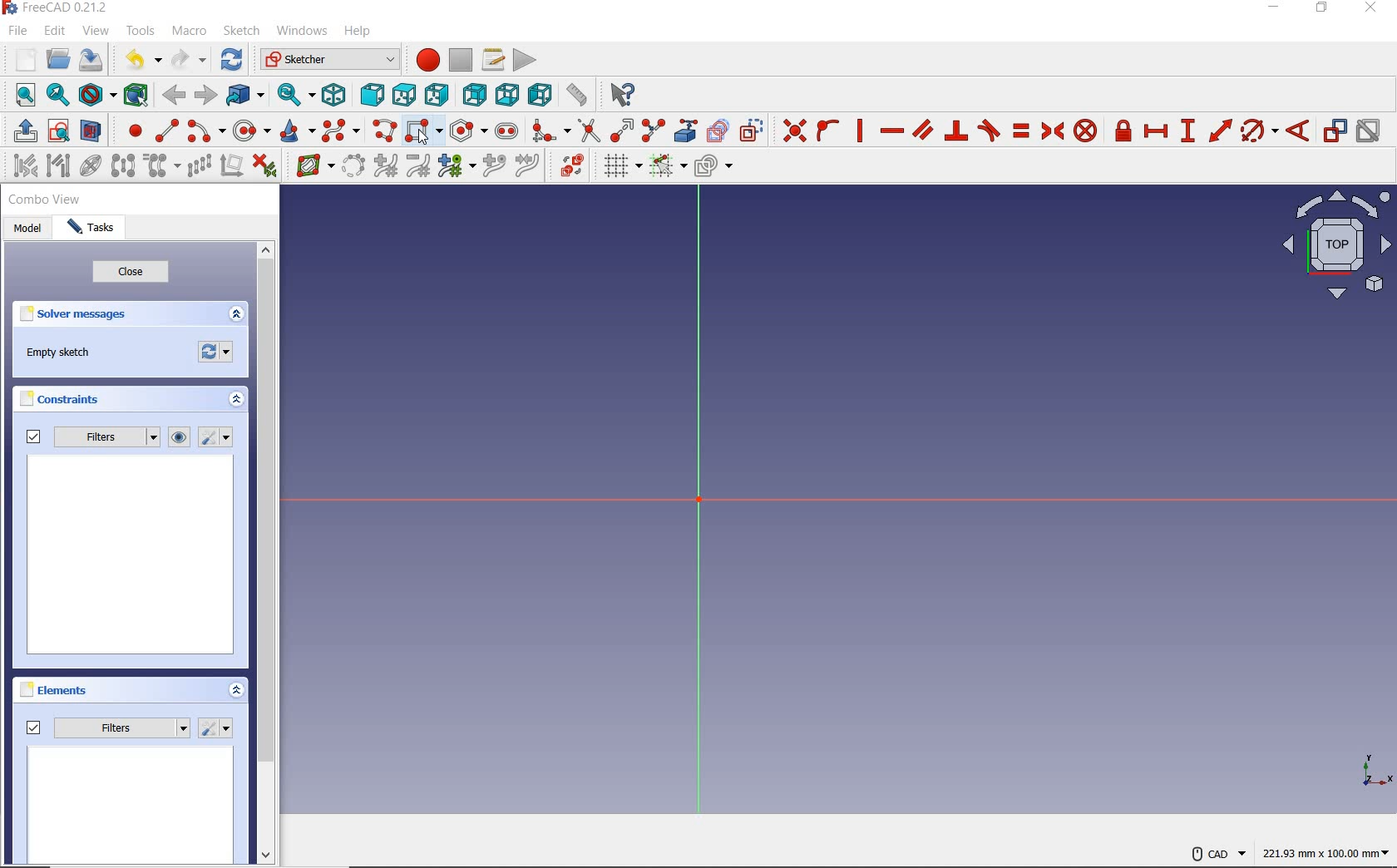  I want to click on symmetry, so click(124, 167).